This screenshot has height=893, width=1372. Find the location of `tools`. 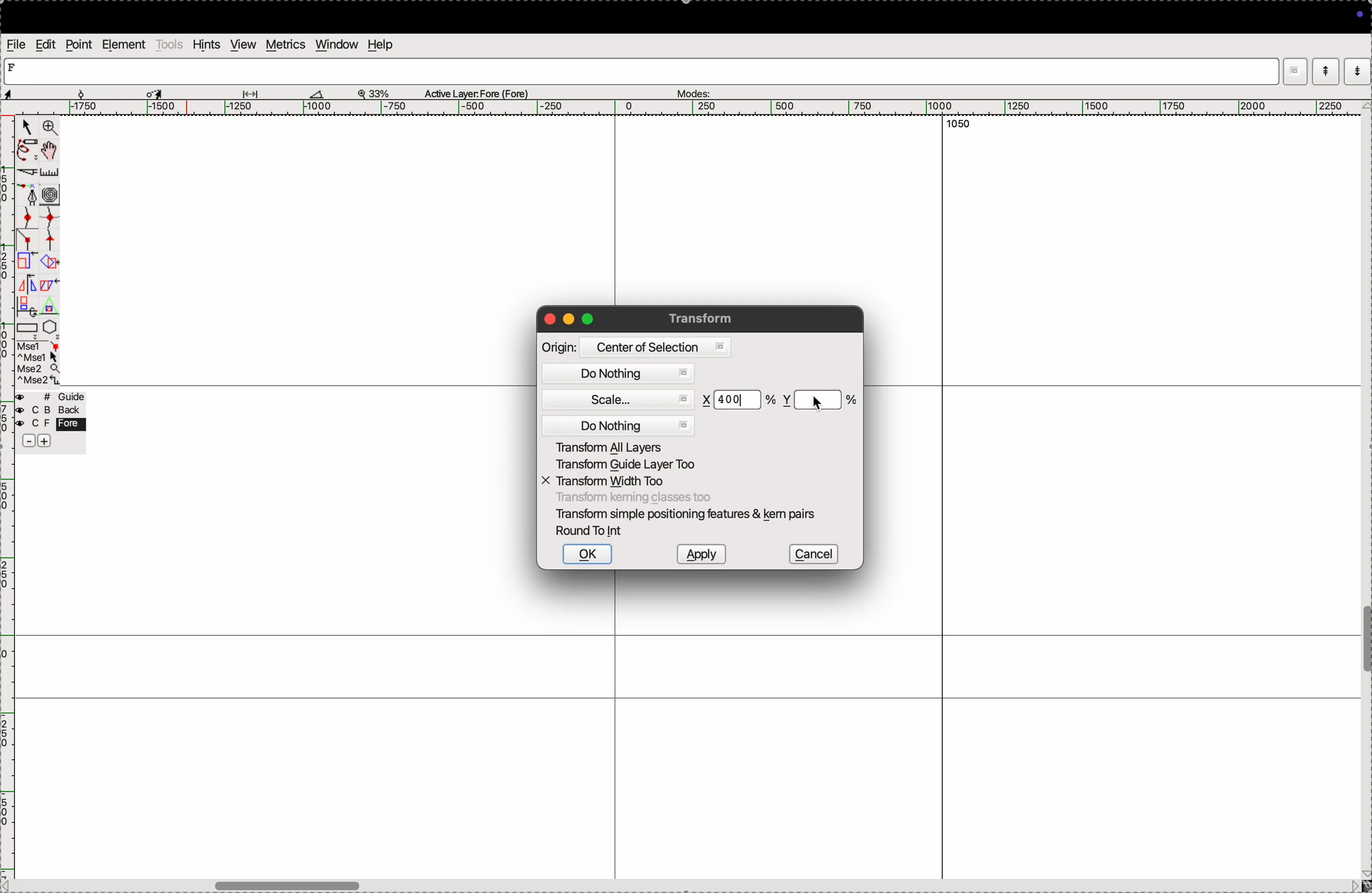

tools is located at coordinates (169, 44).